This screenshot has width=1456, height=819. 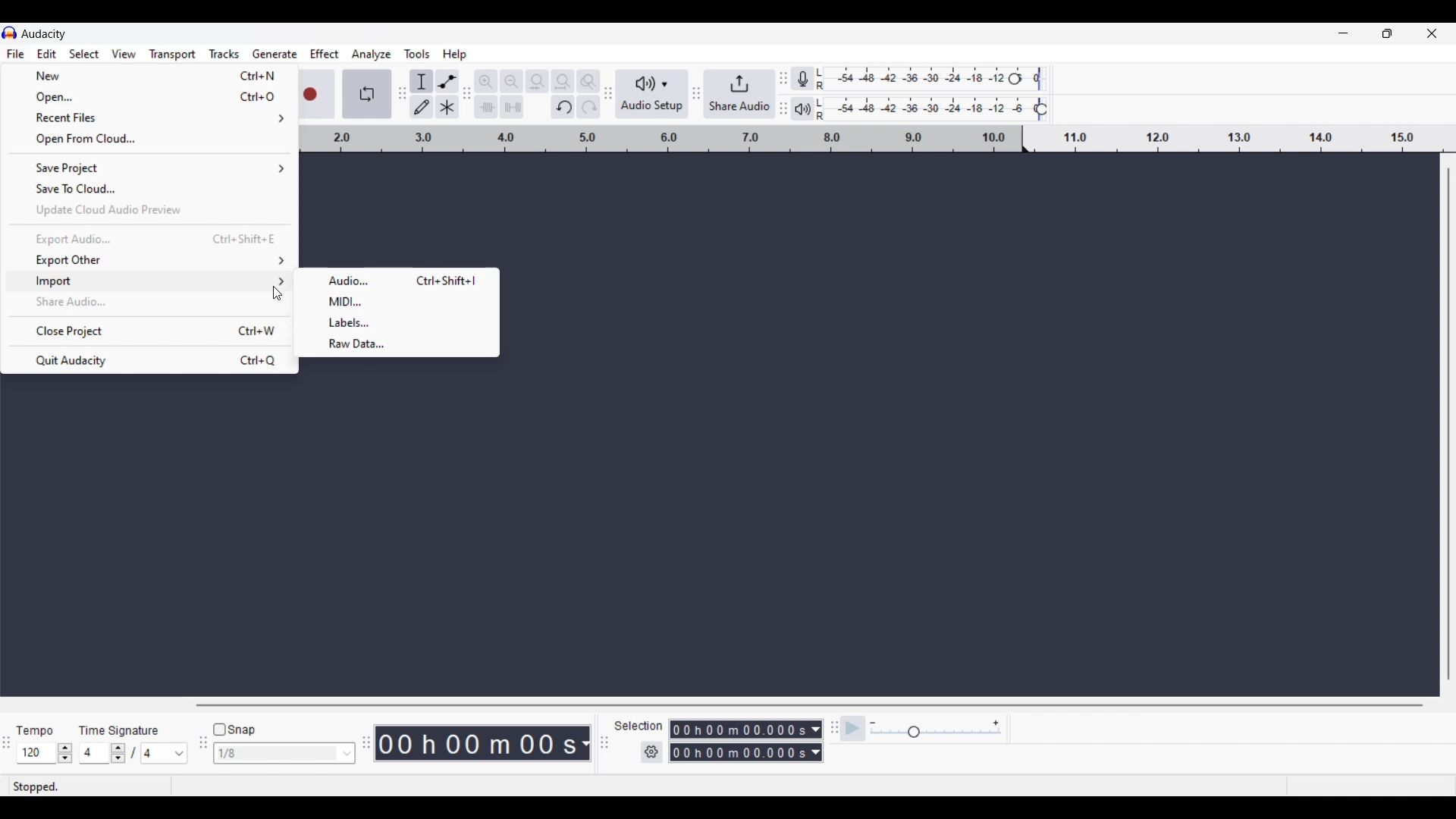 I want to click on Cursor, so click(x=273, y=290).